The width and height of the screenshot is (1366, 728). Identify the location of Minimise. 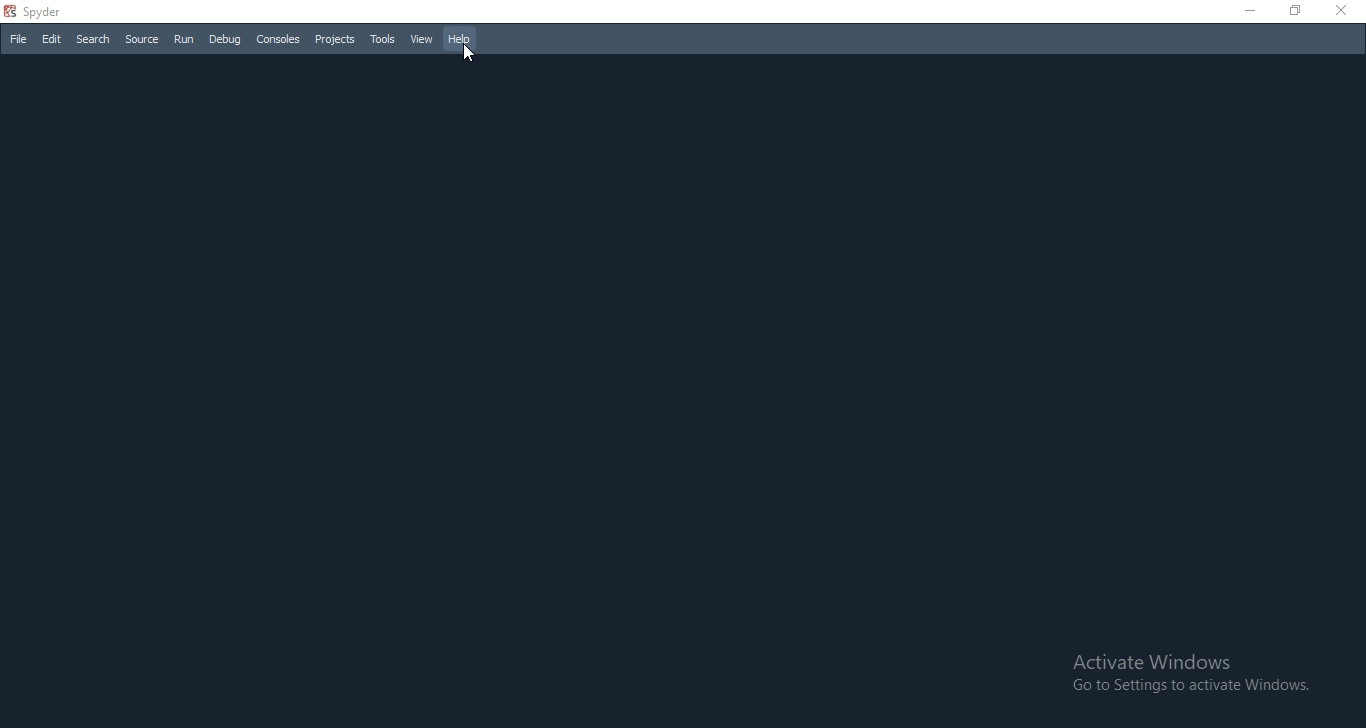
(1250, 11).